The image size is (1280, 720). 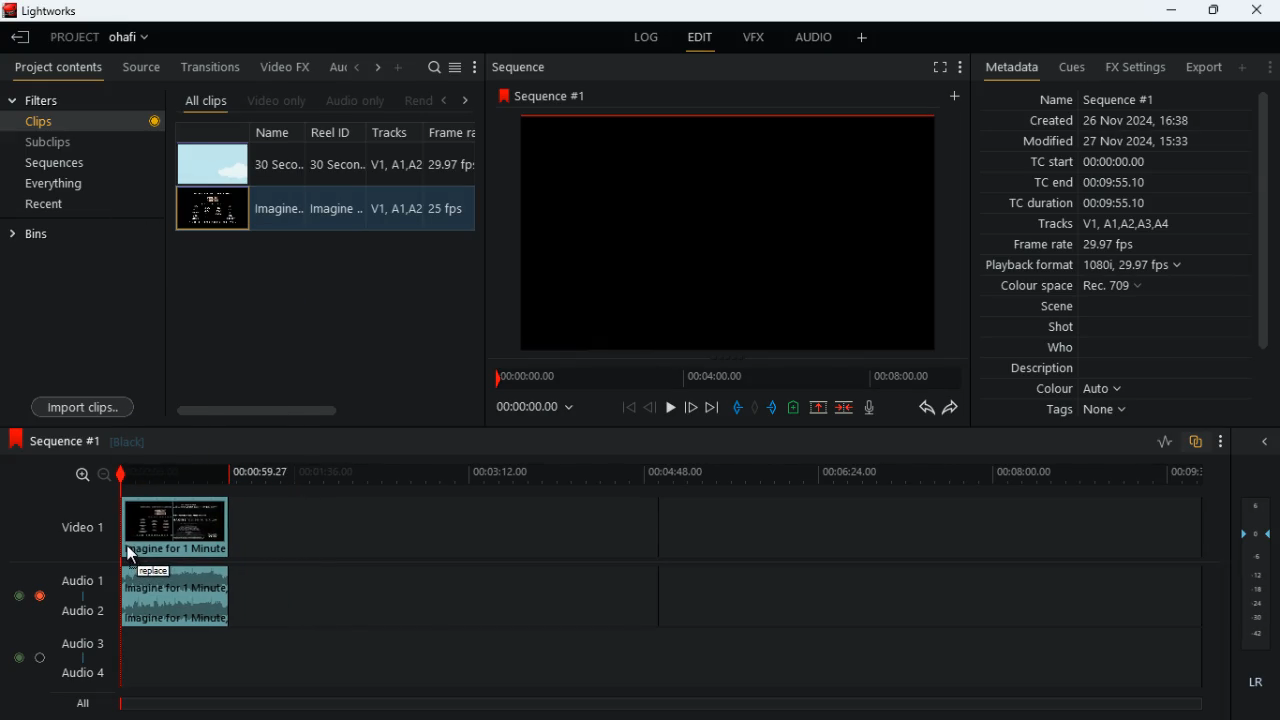 I want to click on colour space, so click(x=1078, y=285).